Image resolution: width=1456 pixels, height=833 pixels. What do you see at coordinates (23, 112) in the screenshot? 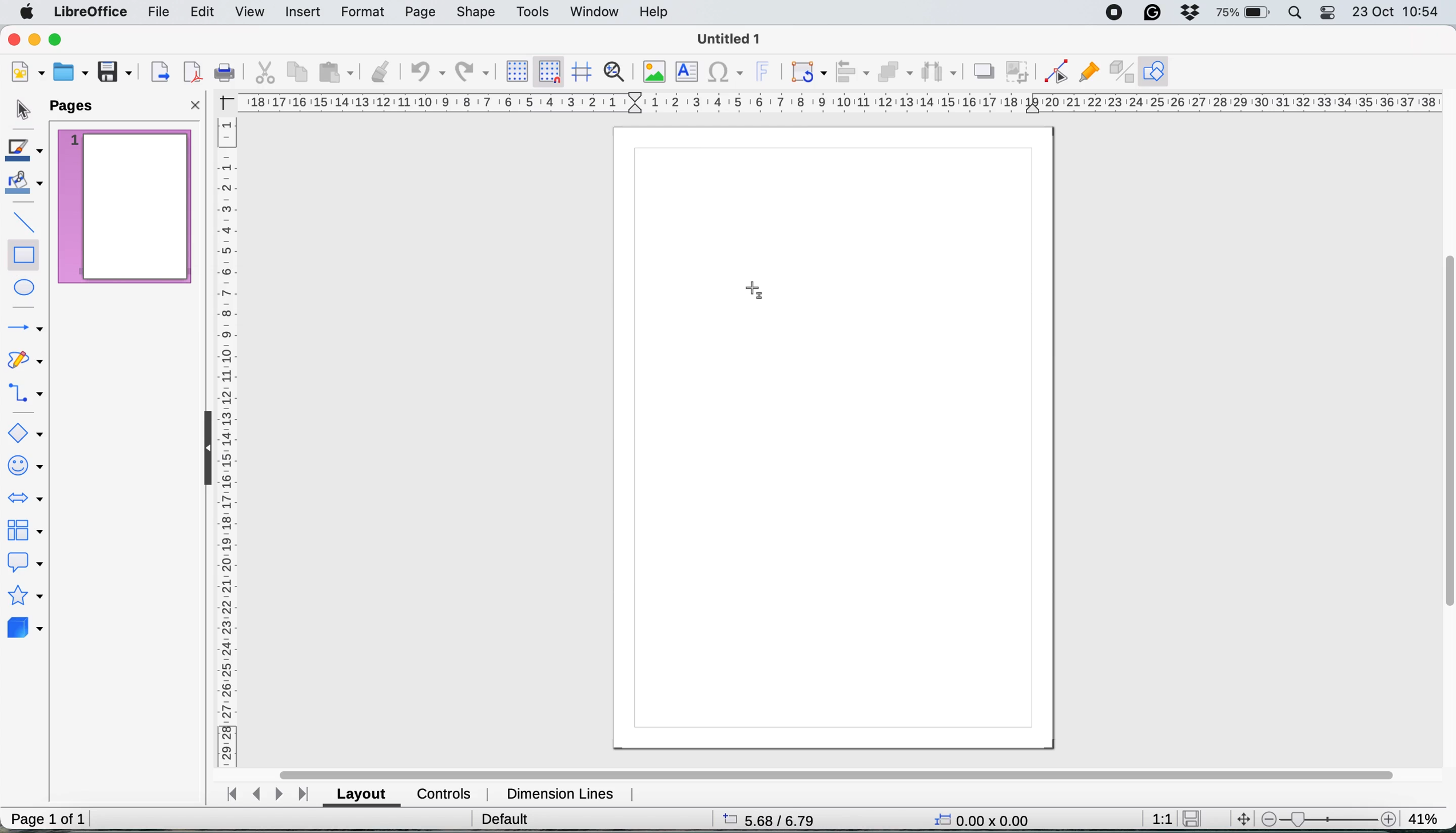
I see `selection tool` at bounding box center [23, 112].